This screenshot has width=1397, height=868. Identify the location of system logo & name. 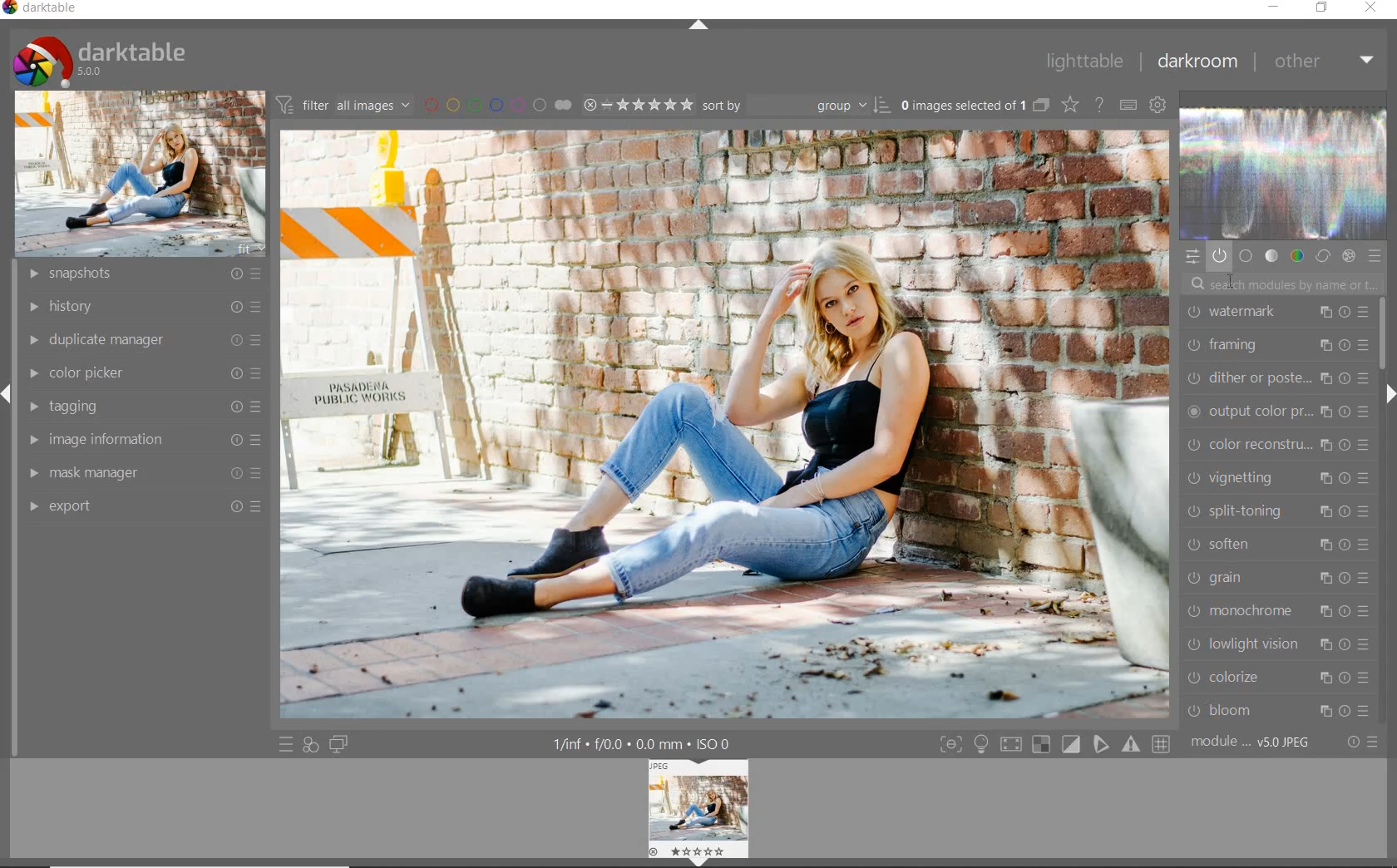
(101, 61).